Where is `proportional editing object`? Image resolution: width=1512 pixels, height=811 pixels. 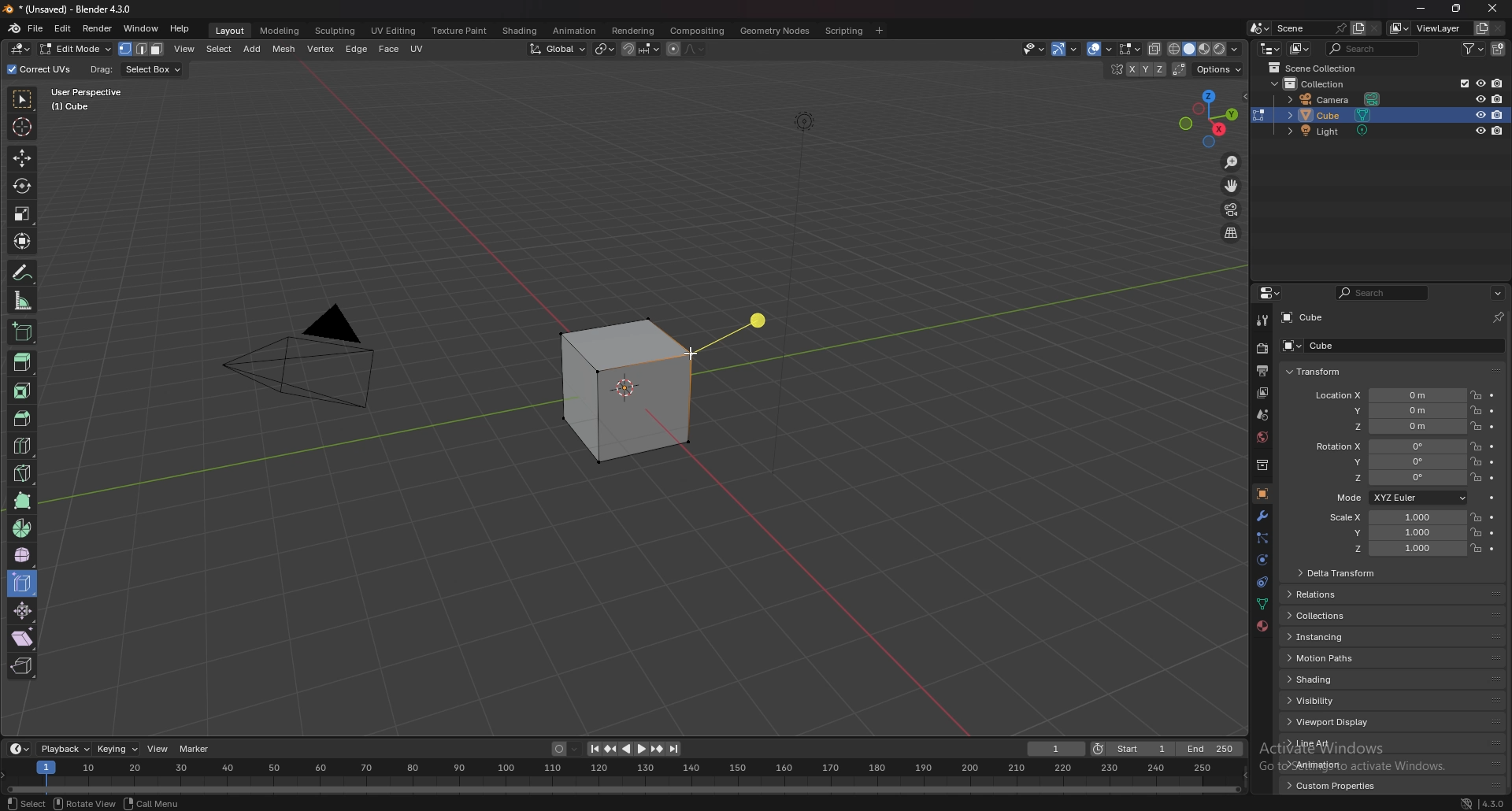 proportional editing object is located at coordinates (674, 50).